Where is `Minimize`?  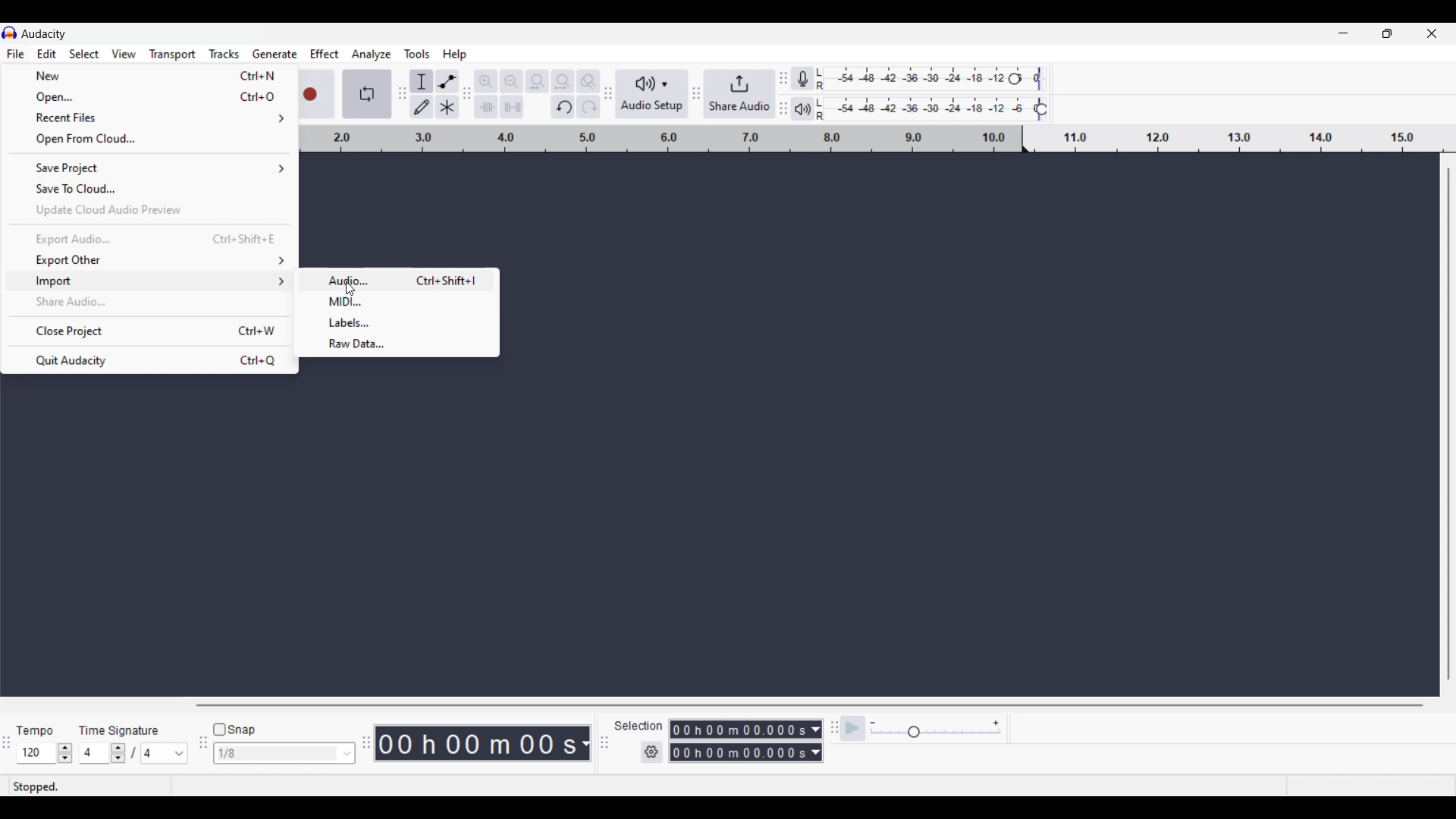
Minimize is located at coordinates (1343, 33).